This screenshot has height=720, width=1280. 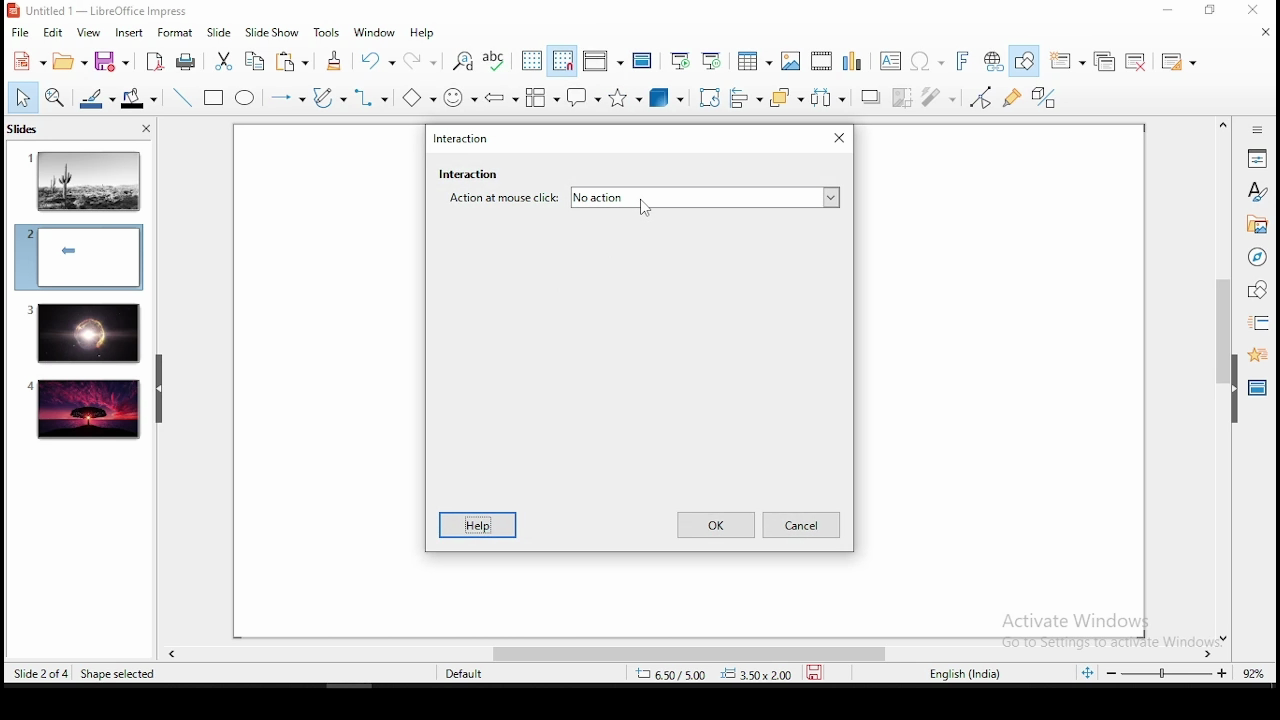 What do you see at coordinates (27, 61) in the screenshot?
I see `new` at bounding box center [27, 61].